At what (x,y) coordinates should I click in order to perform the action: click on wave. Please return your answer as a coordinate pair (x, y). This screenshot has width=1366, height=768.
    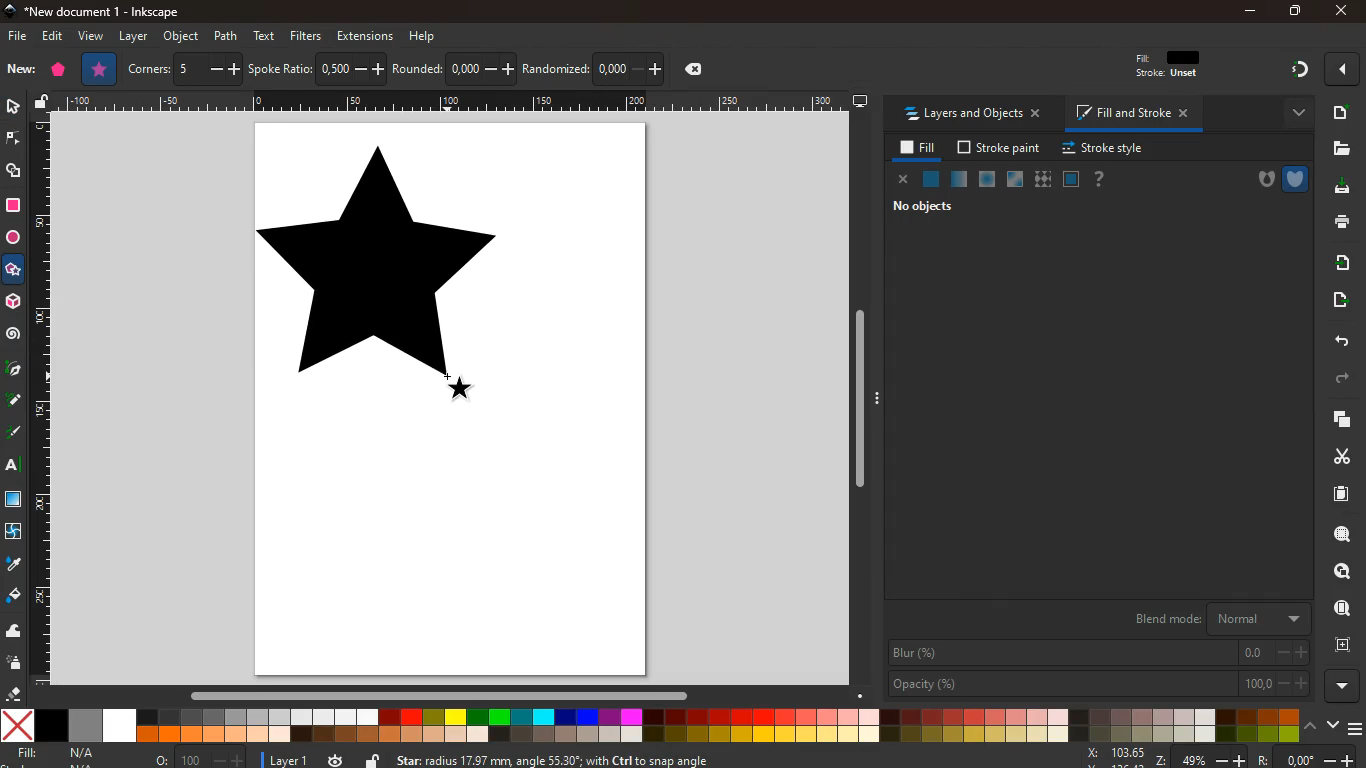
    Looking at the image, I should click on (15, 633).